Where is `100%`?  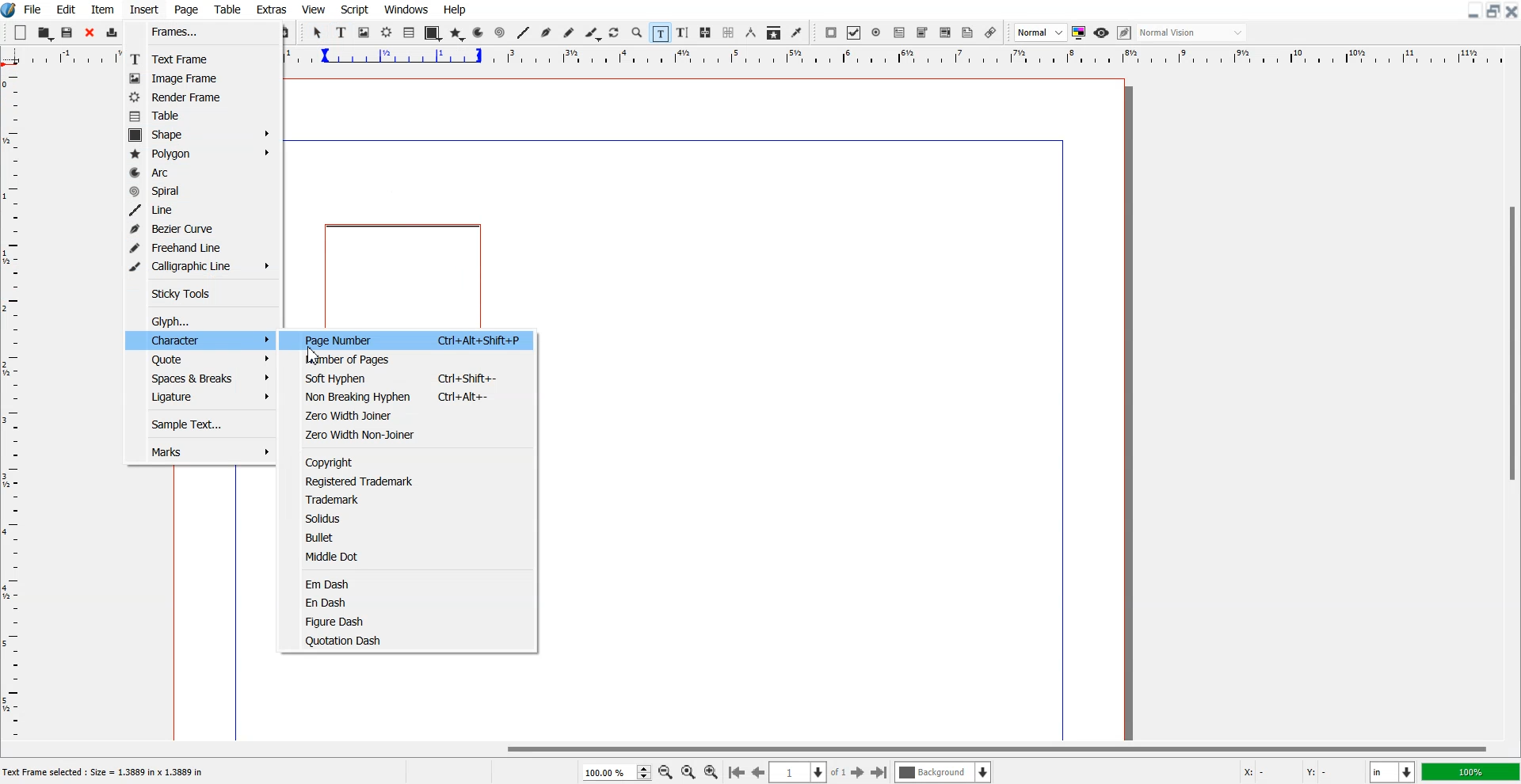
100% is located at coordinates (1472, 771).